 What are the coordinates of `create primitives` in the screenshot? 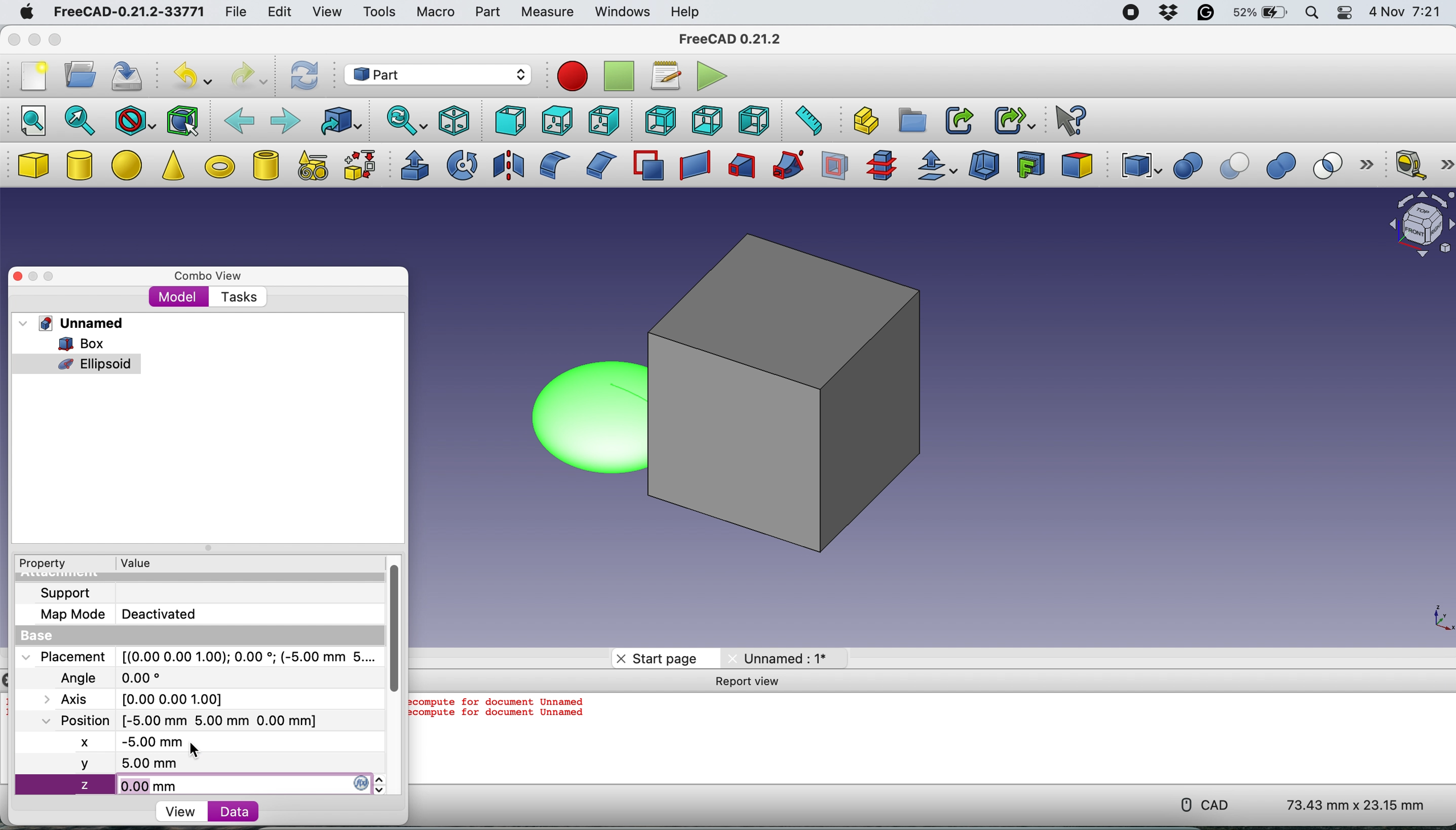 It's located at (309, 166).